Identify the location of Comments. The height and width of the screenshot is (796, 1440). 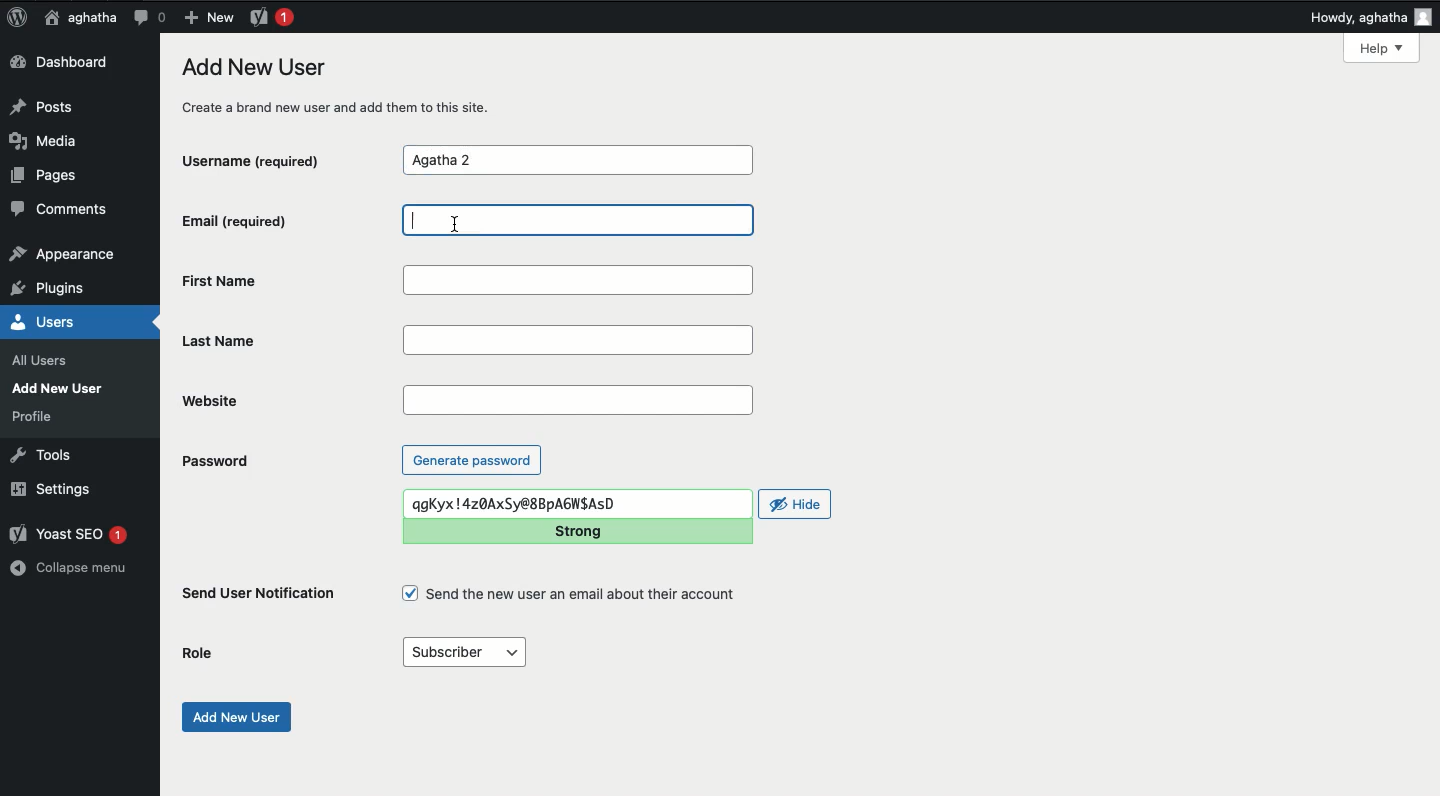
(60, 212).